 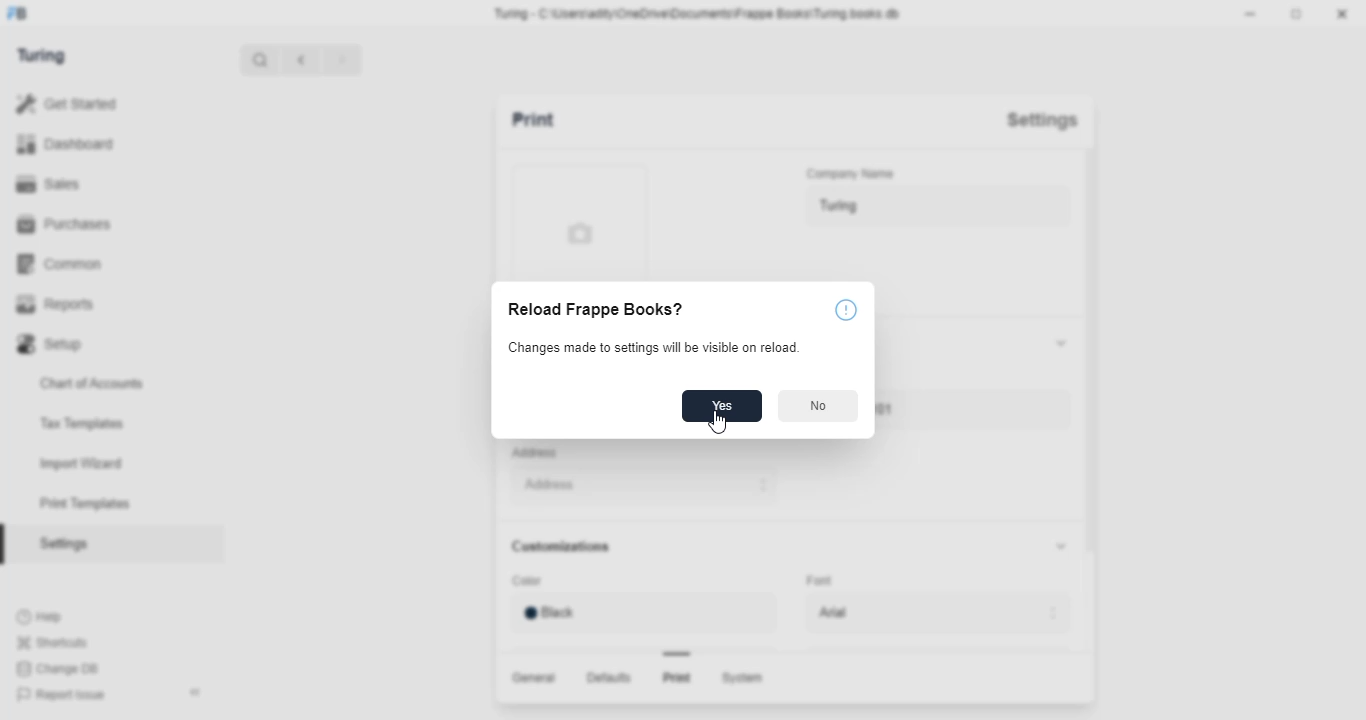 I want to click on Settings
oy, so click(x=98, y=546).